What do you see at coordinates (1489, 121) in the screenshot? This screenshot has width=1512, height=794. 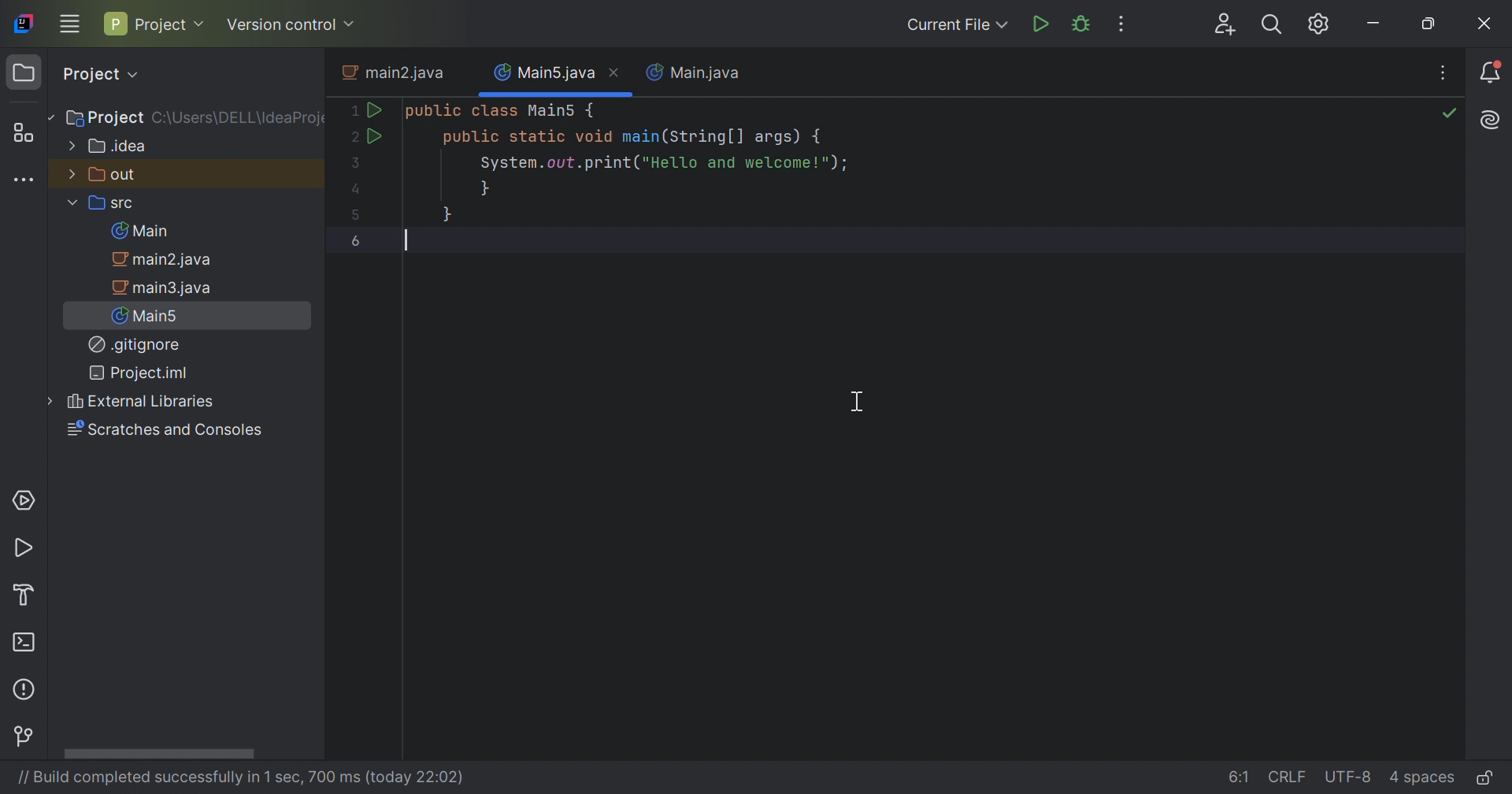 I see `Recent Files, Tab Actions, and More` at bounding box center [1489, 121].